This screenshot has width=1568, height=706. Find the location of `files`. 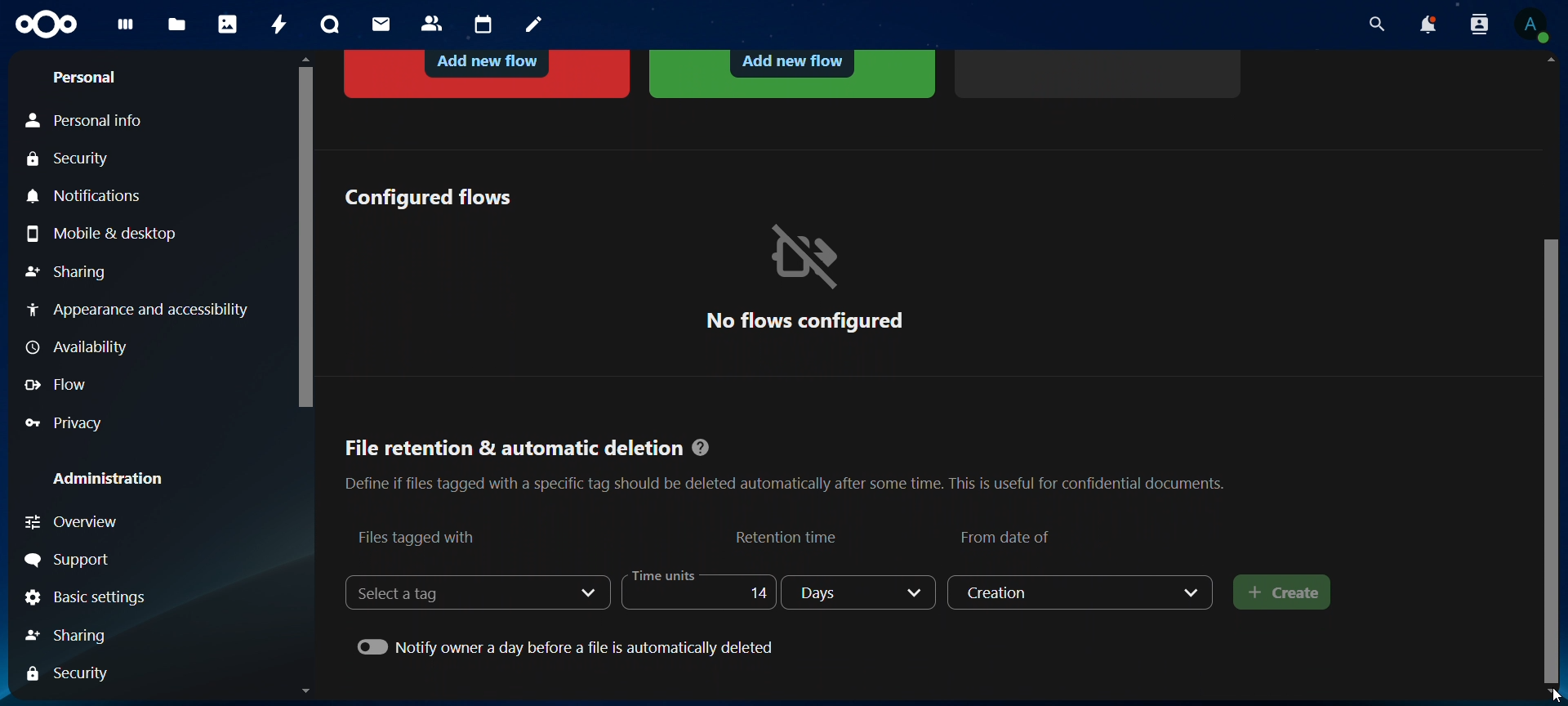

files is located at coordinates (177, 26).